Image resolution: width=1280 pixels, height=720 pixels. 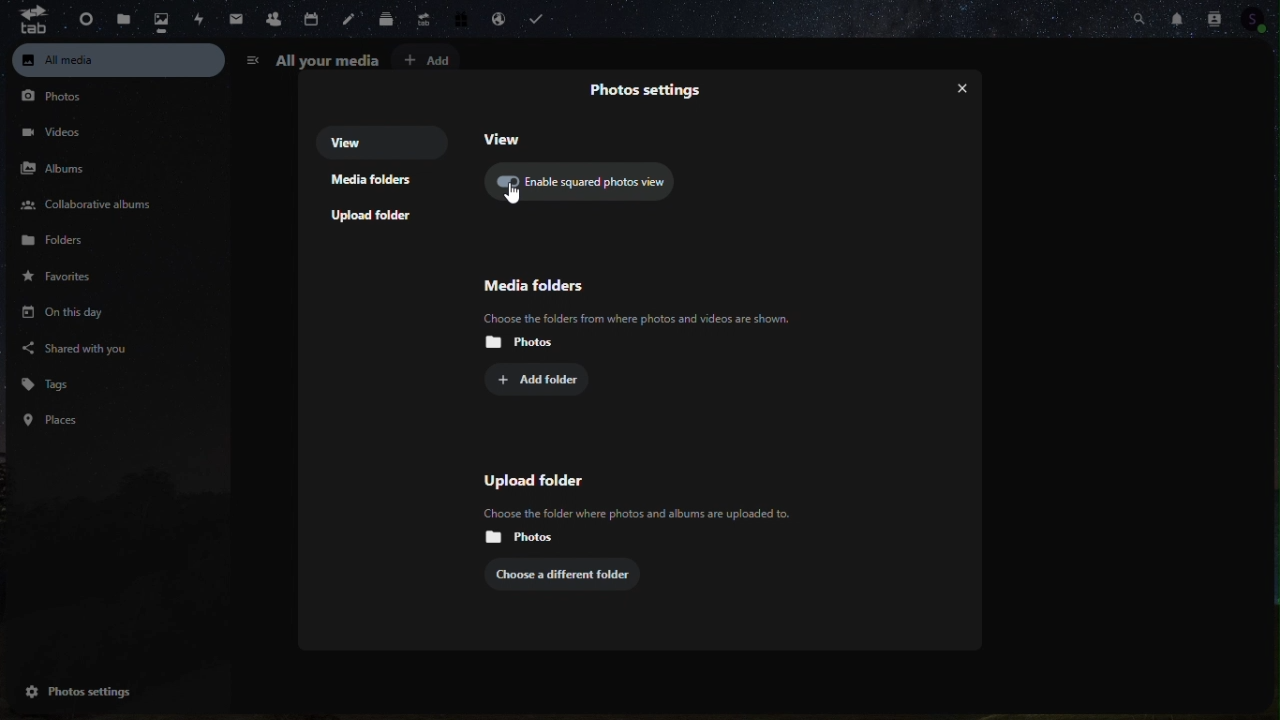 I want to click on search bar, so click(x=1143, y=19).